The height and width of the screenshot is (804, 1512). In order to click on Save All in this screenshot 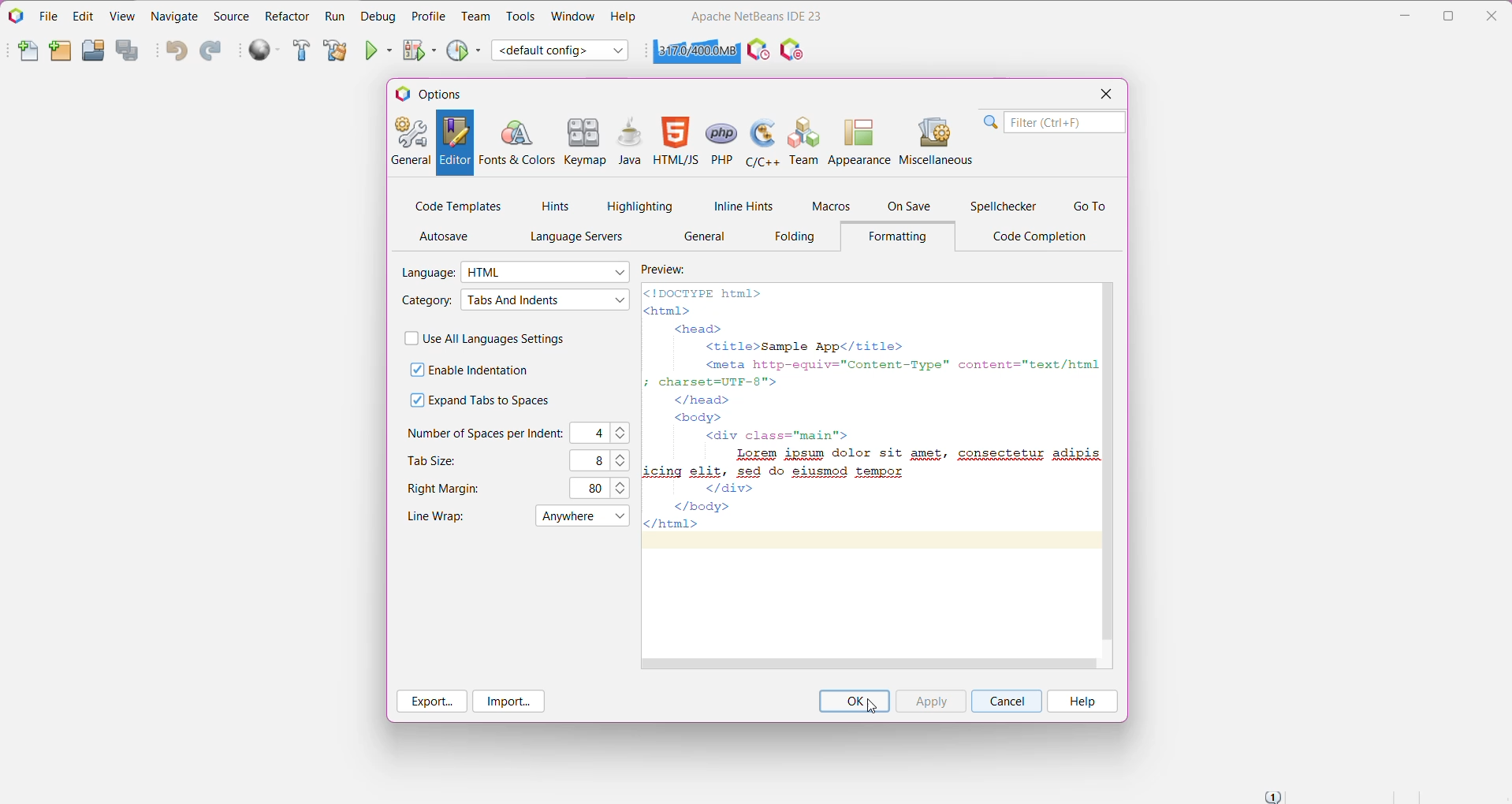, I will do `click(130, 51)`.